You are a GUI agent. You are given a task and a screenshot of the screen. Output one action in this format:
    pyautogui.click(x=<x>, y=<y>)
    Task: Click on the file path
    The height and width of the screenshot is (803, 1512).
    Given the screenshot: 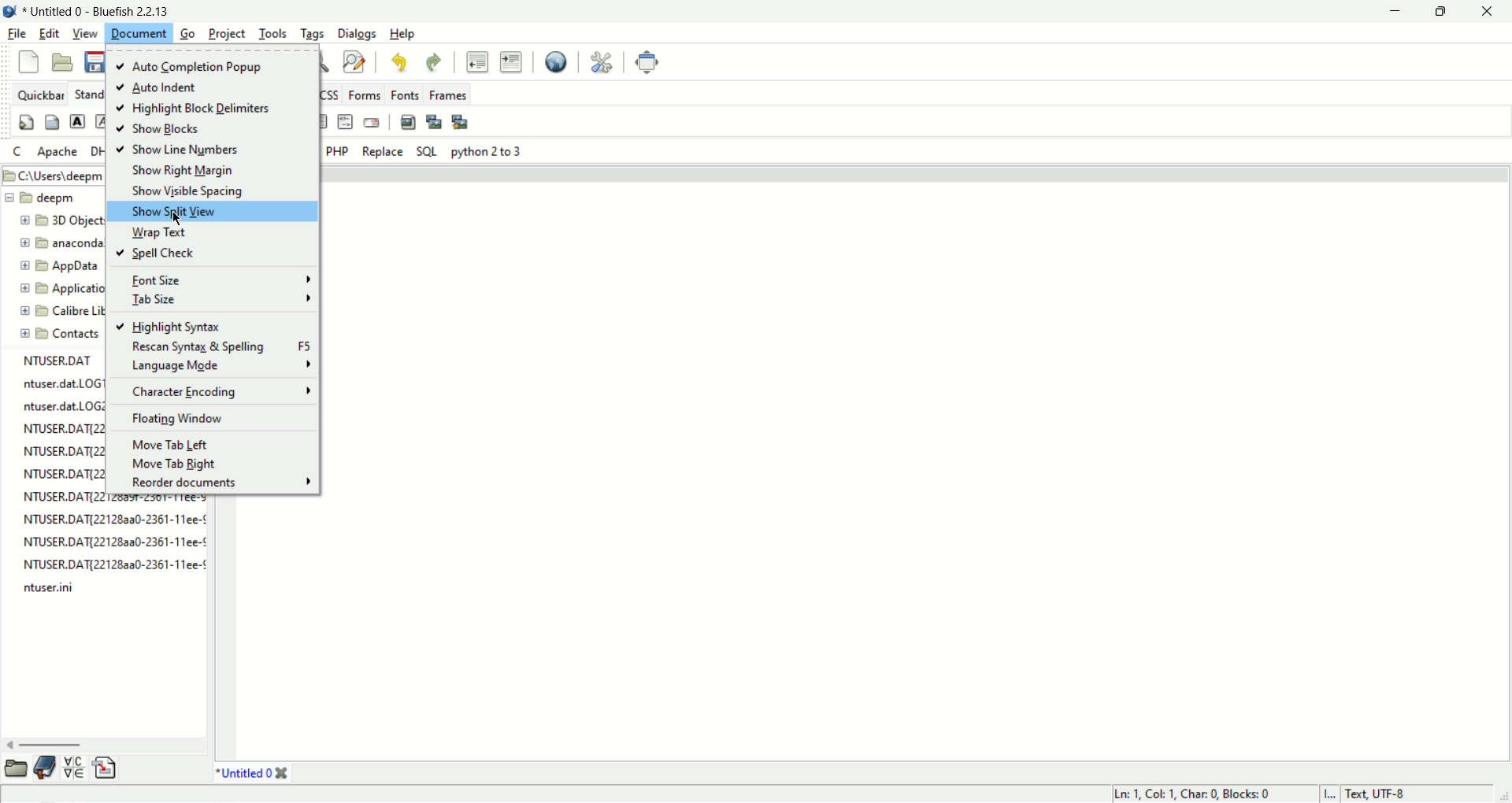 What is the action you would take?
    pyautogui.click(x=52, y=176)
    